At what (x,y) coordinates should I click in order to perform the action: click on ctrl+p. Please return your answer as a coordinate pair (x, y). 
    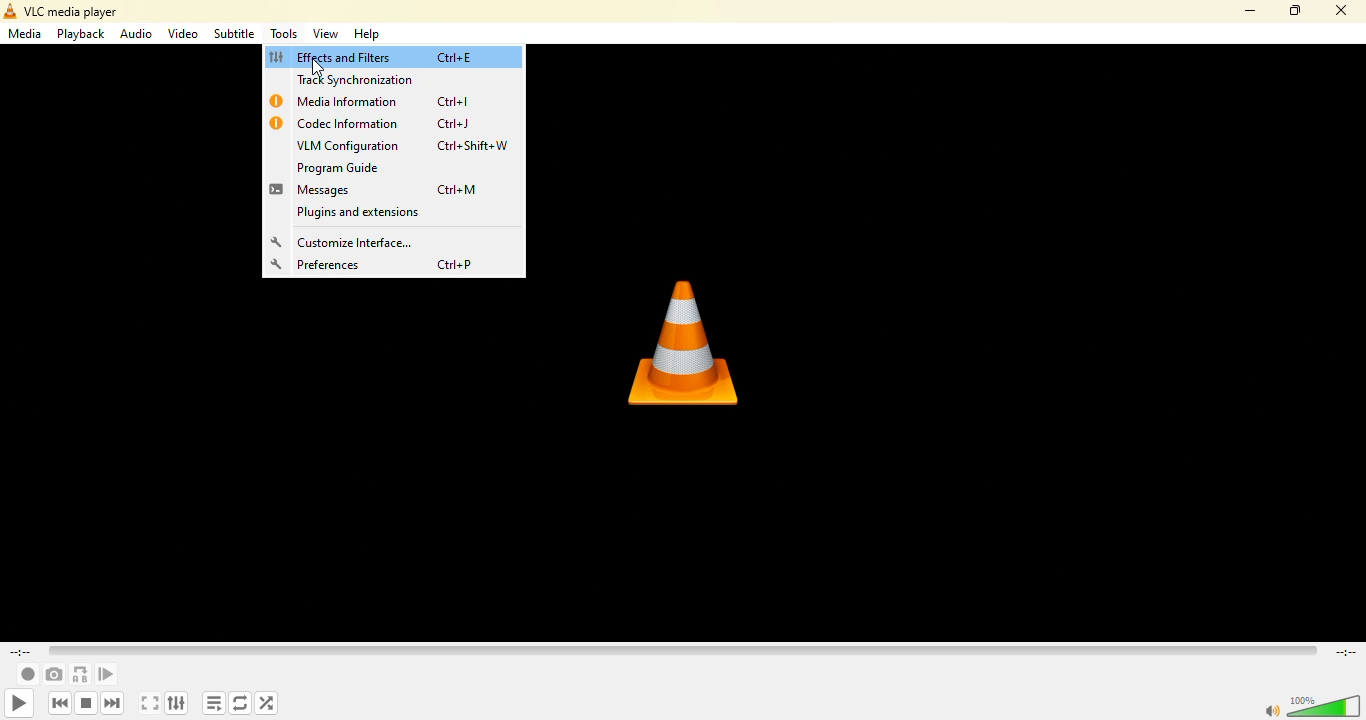
    Looking at the image, I should click on (459, 265).